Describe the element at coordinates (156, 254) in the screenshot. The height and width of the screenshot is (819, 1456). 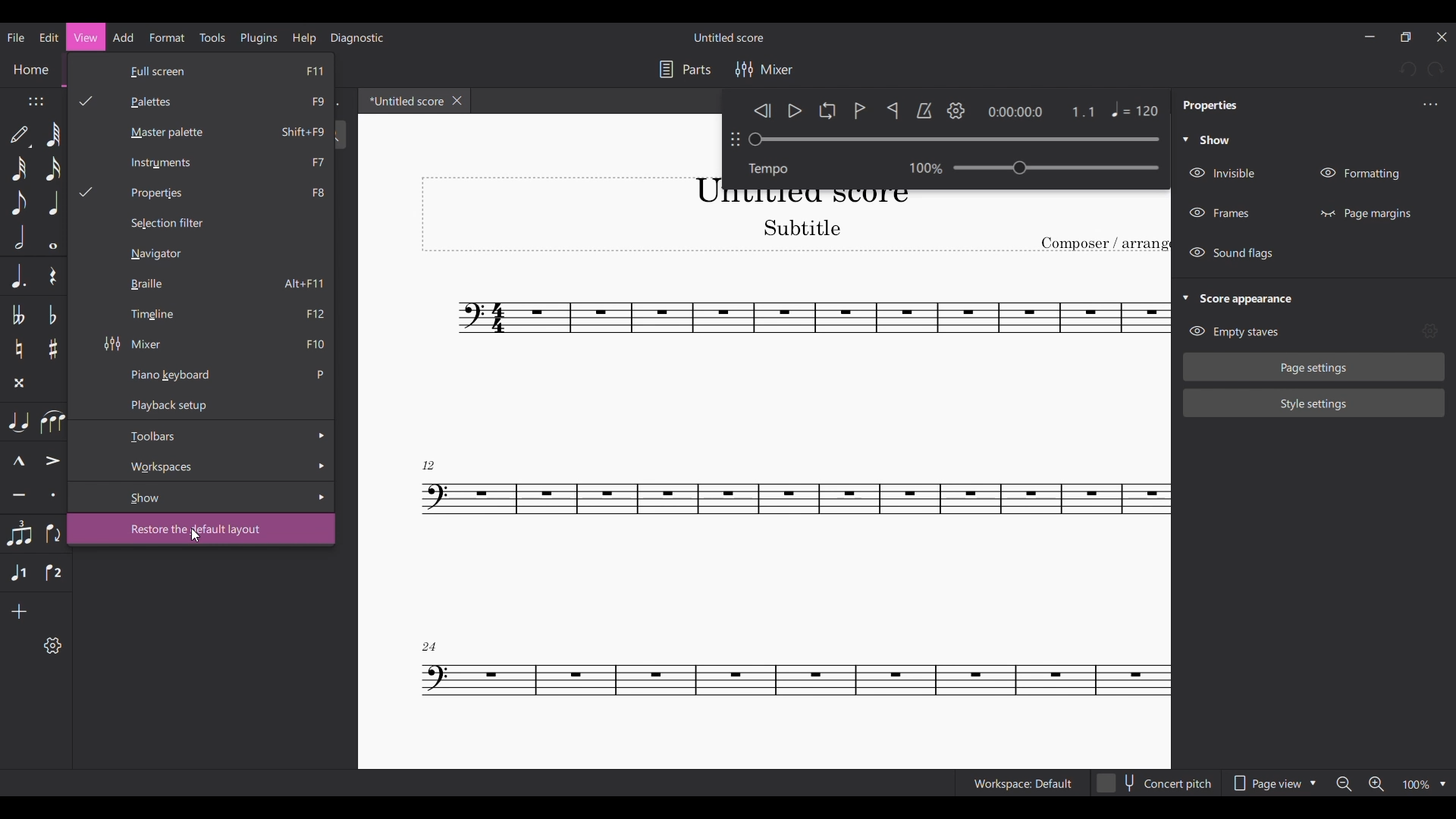
I see `Navigator` at that location.